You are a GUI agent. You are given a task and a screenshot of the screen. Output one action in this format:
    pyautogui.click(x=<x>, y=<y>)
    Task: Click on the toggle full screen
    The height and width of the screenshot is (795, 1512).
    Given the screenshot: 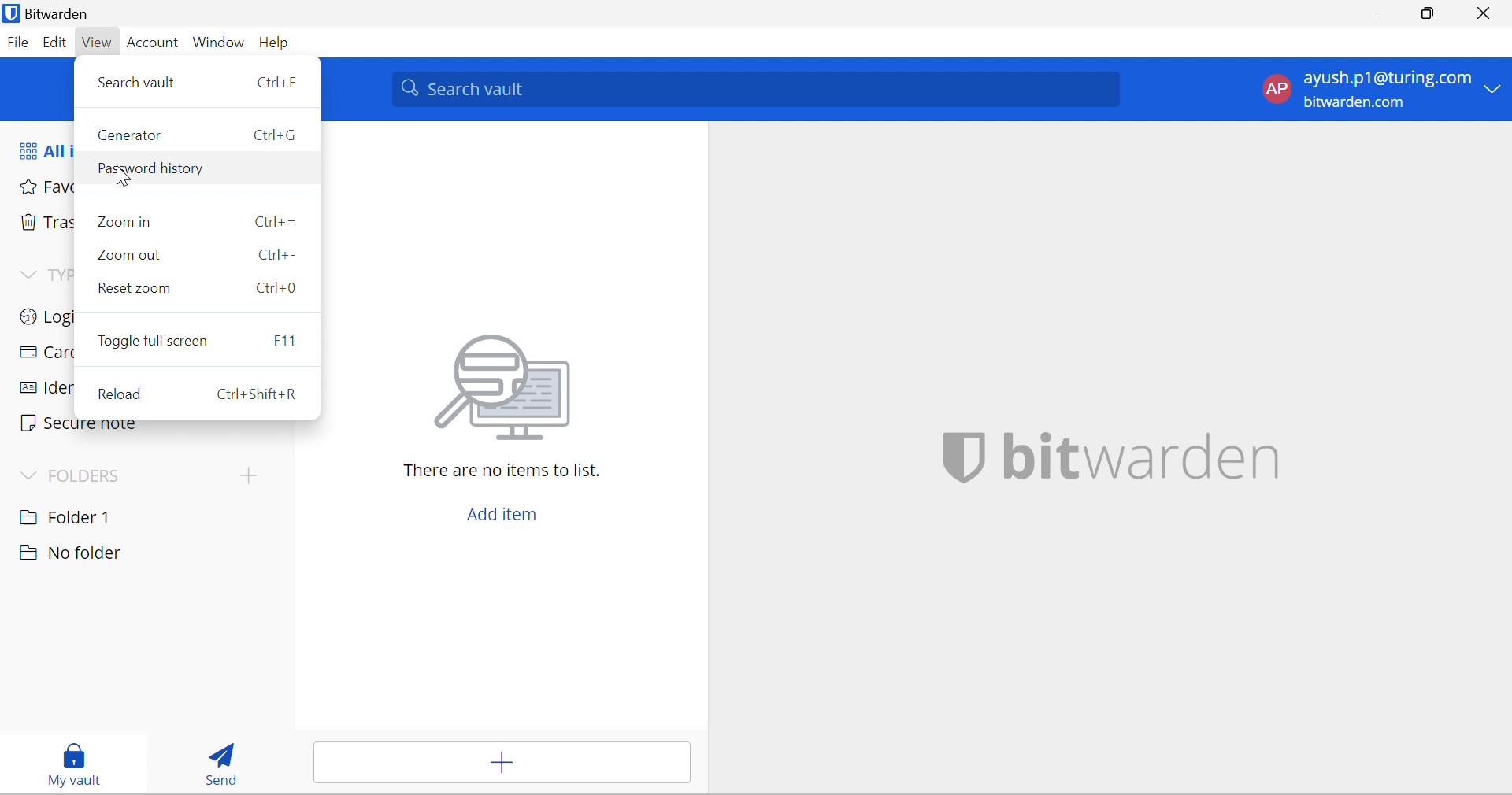 What is the action you would take?
    pyautogui.click(x=201, y=340)
    